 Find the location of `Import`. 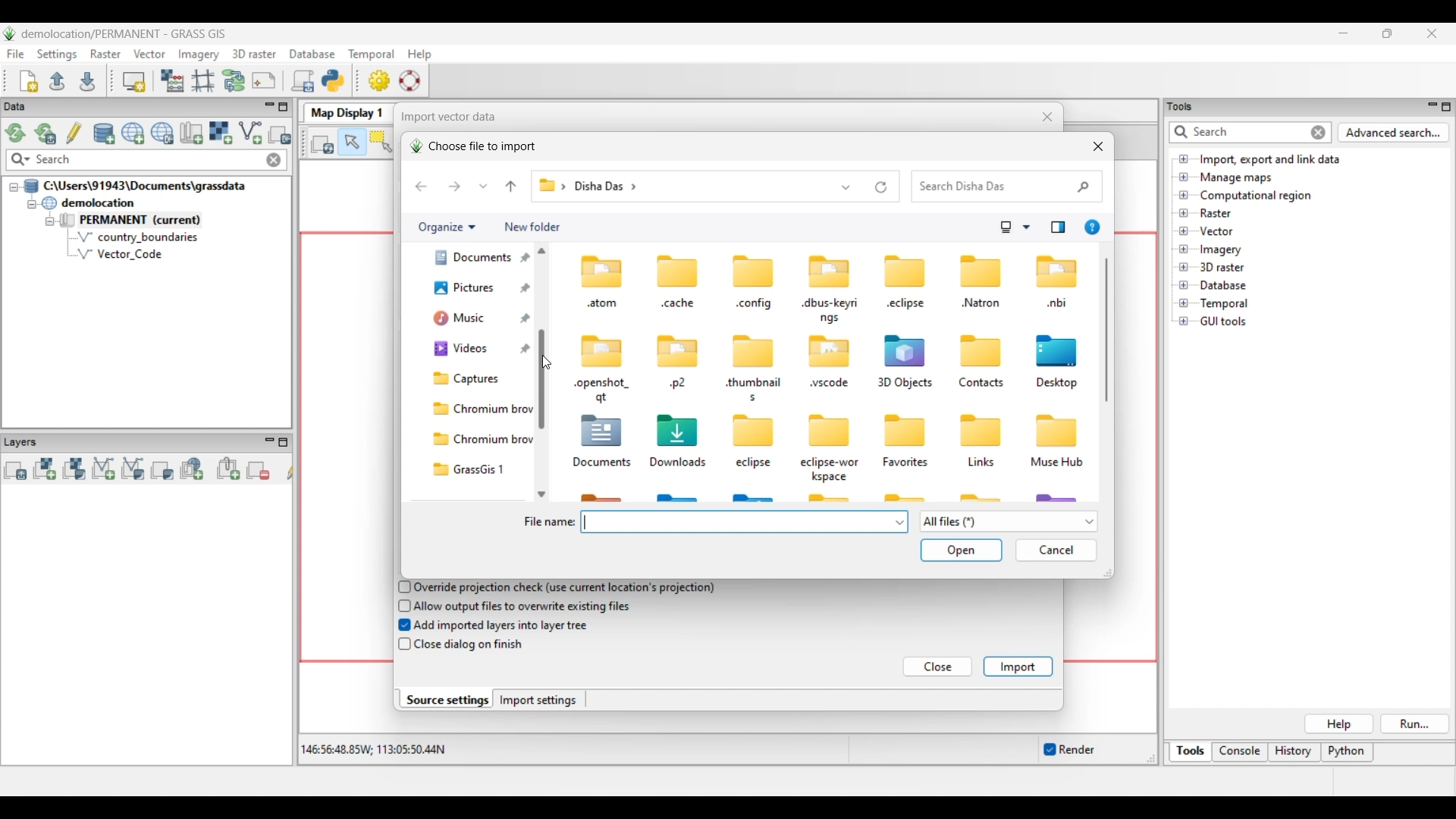

Import is located at coordinates (1018, 667).